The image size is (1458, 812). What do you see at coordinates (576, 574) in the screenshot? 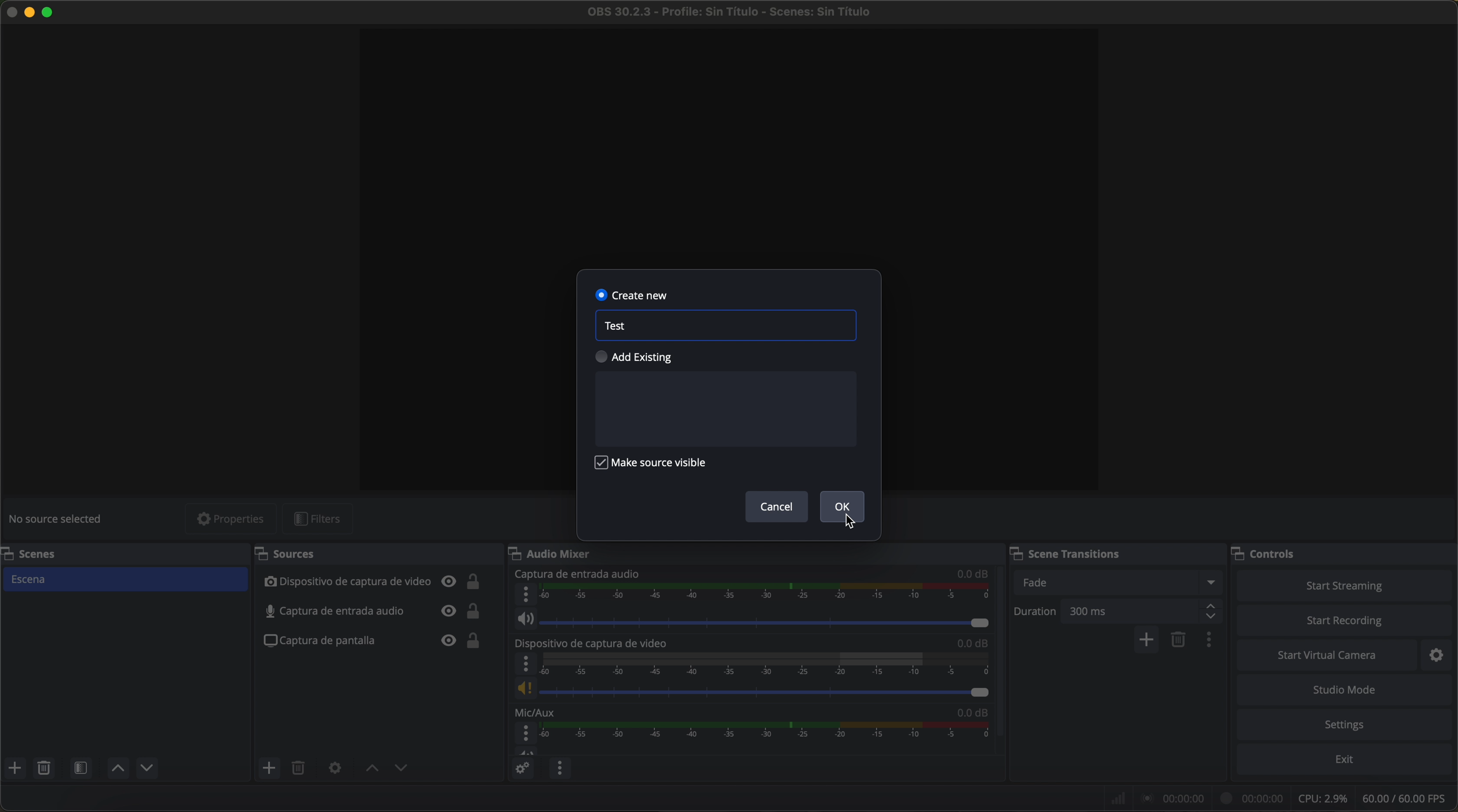
I see `audio input capture` at bounding box center [576, 574].